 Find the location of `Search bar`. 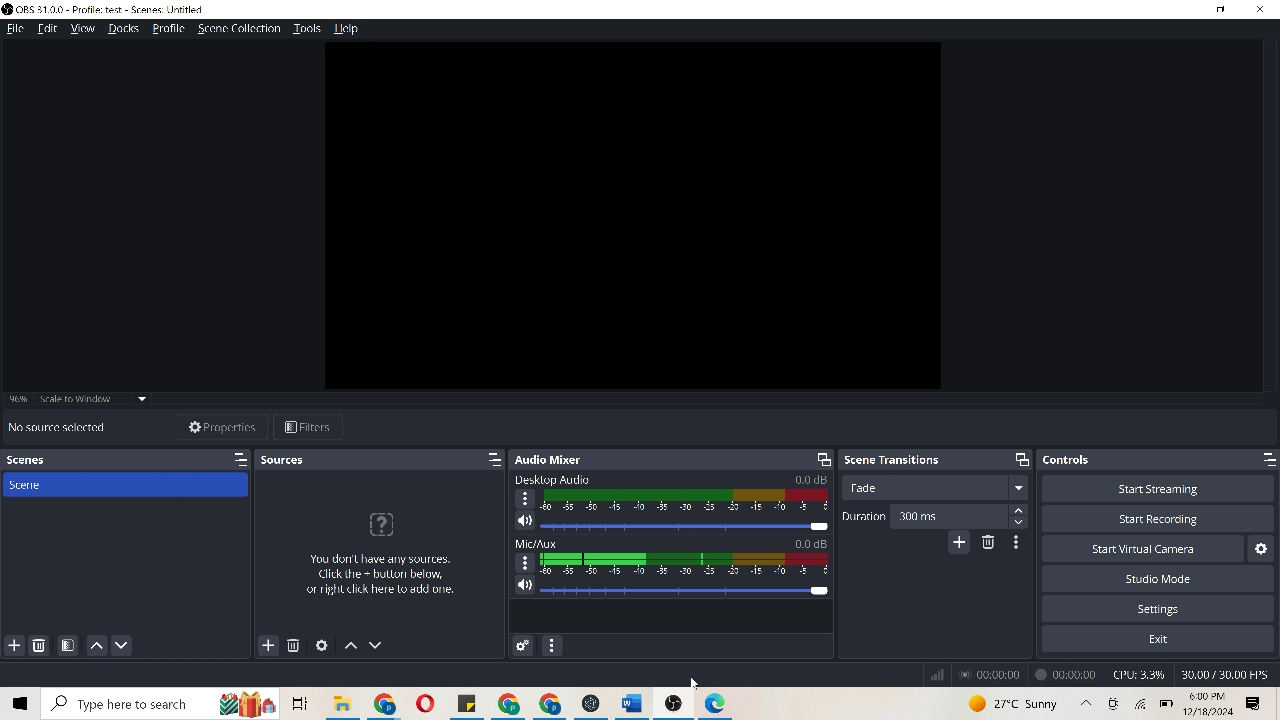

Search bar is located at coordinates (124, 703).